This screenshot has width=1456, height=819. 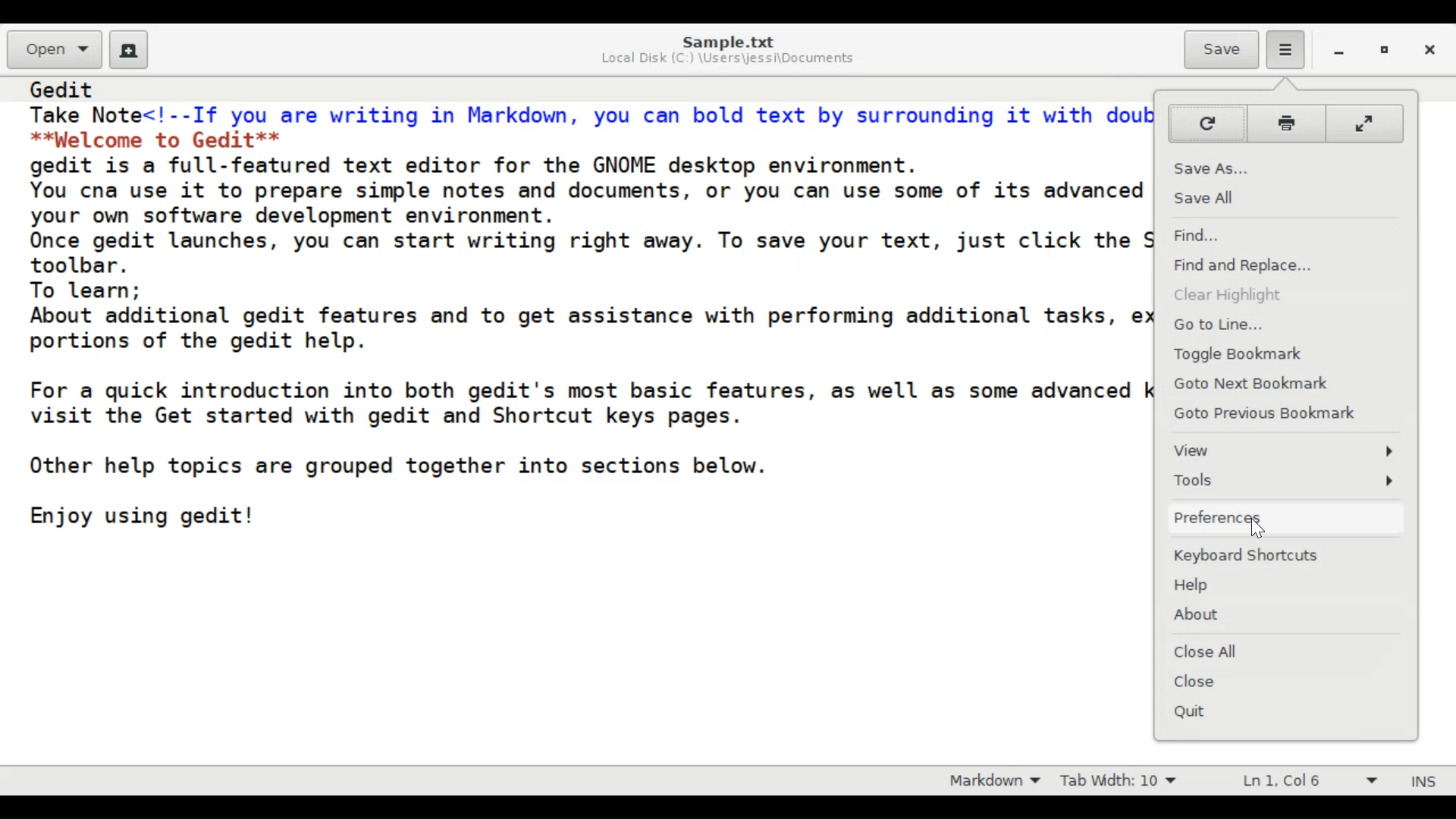 What do you see at coordinates (1222, 50) in the screenshot?
I see `Save` at bounding box center [1222, 50].